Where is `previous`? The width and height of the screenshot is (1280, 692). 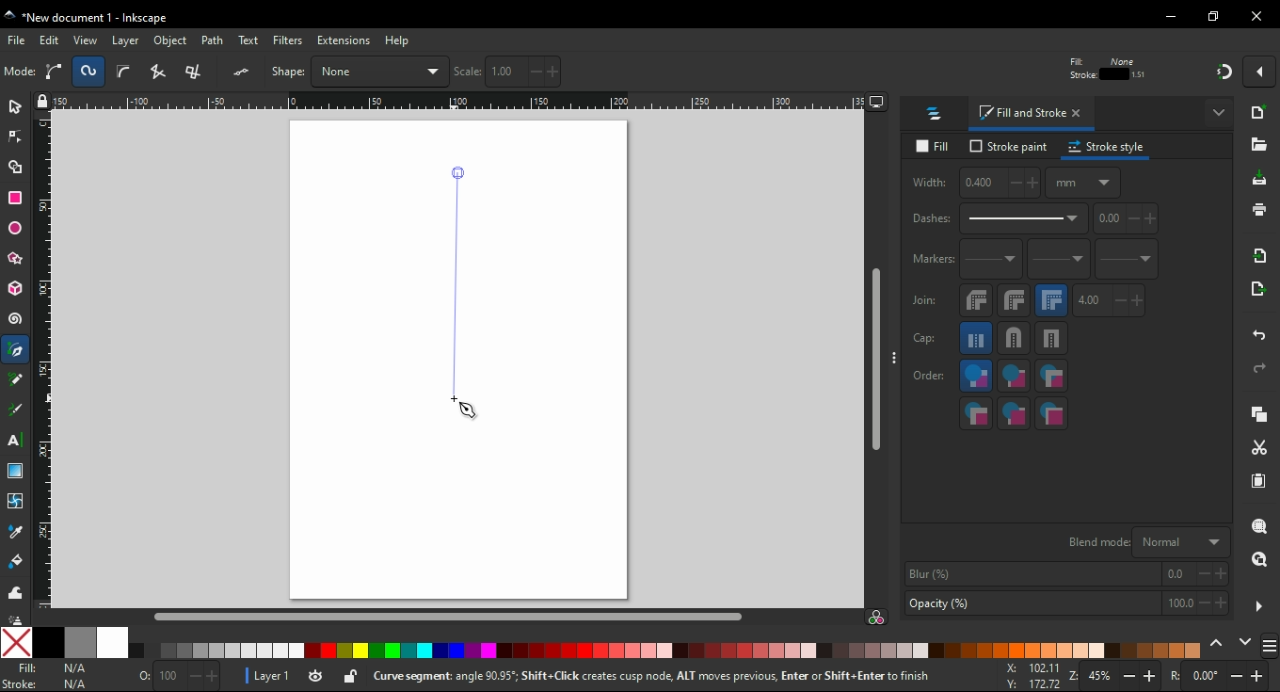
previous is located at coordinates (1219, 644).